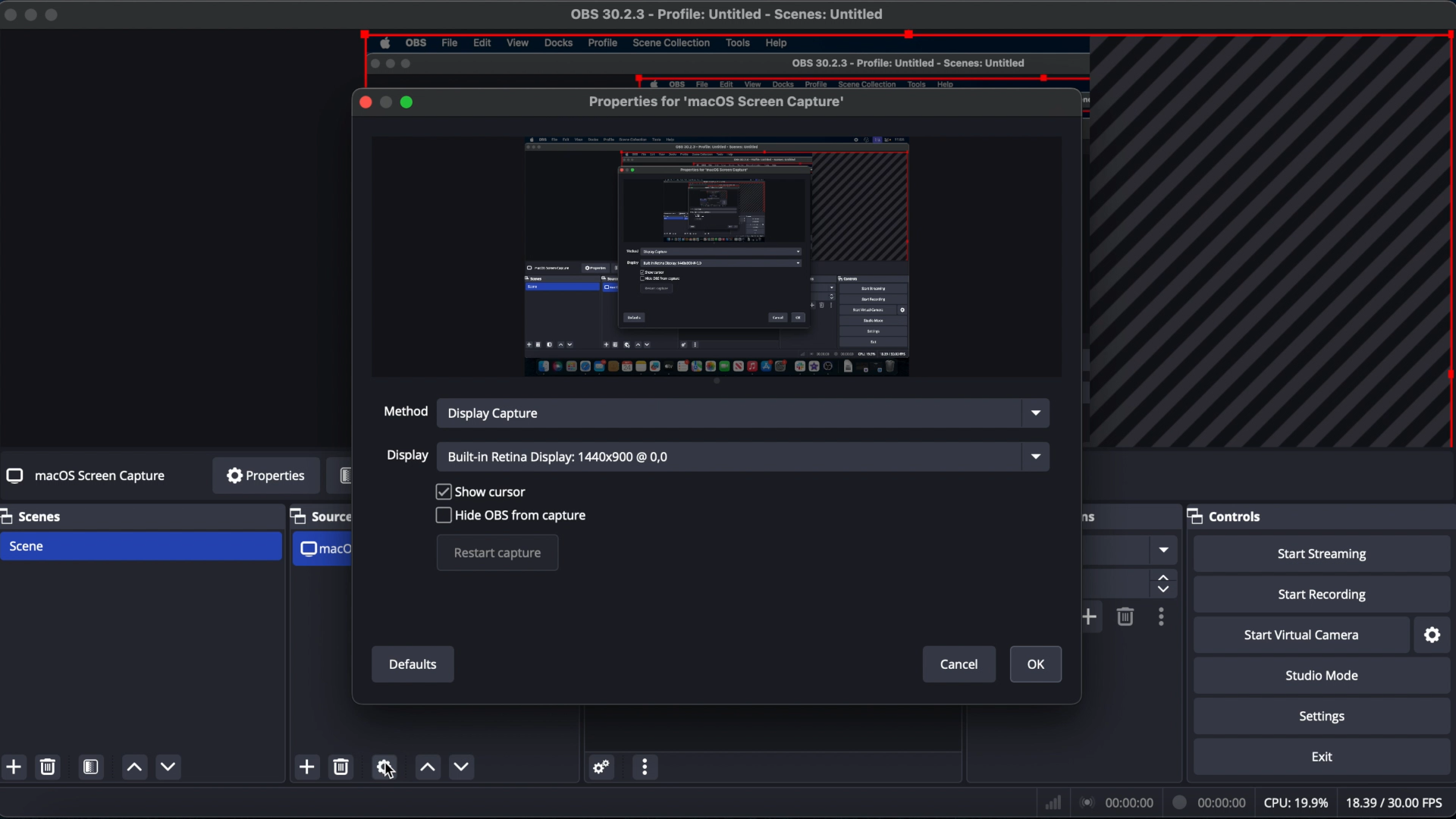  What do you see at coordinates (325, 549) in the screenshot?
I see `macOS screen capture` at bounding box center [325, 549].